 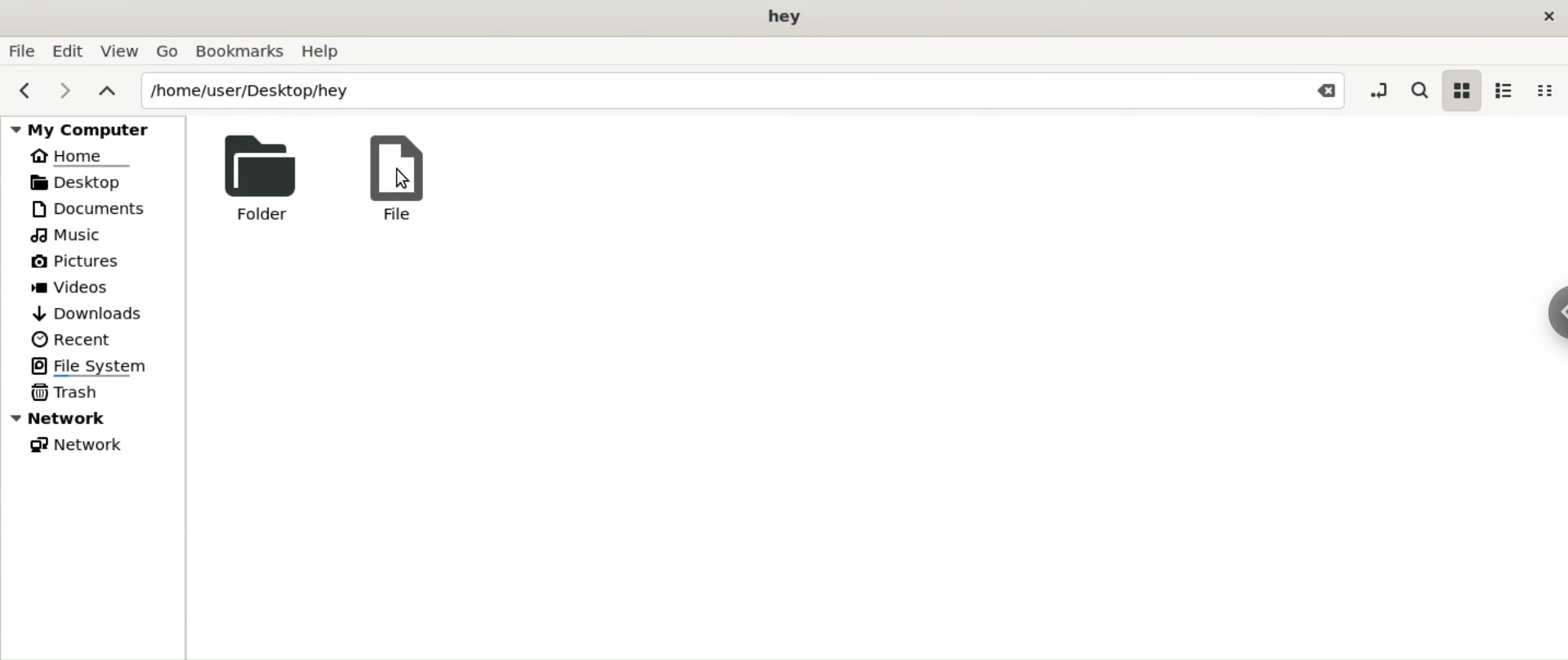 What do you see at coordinates (71, 156) in the screenshot?
I see `Home ` at bounding box center [71, 156].